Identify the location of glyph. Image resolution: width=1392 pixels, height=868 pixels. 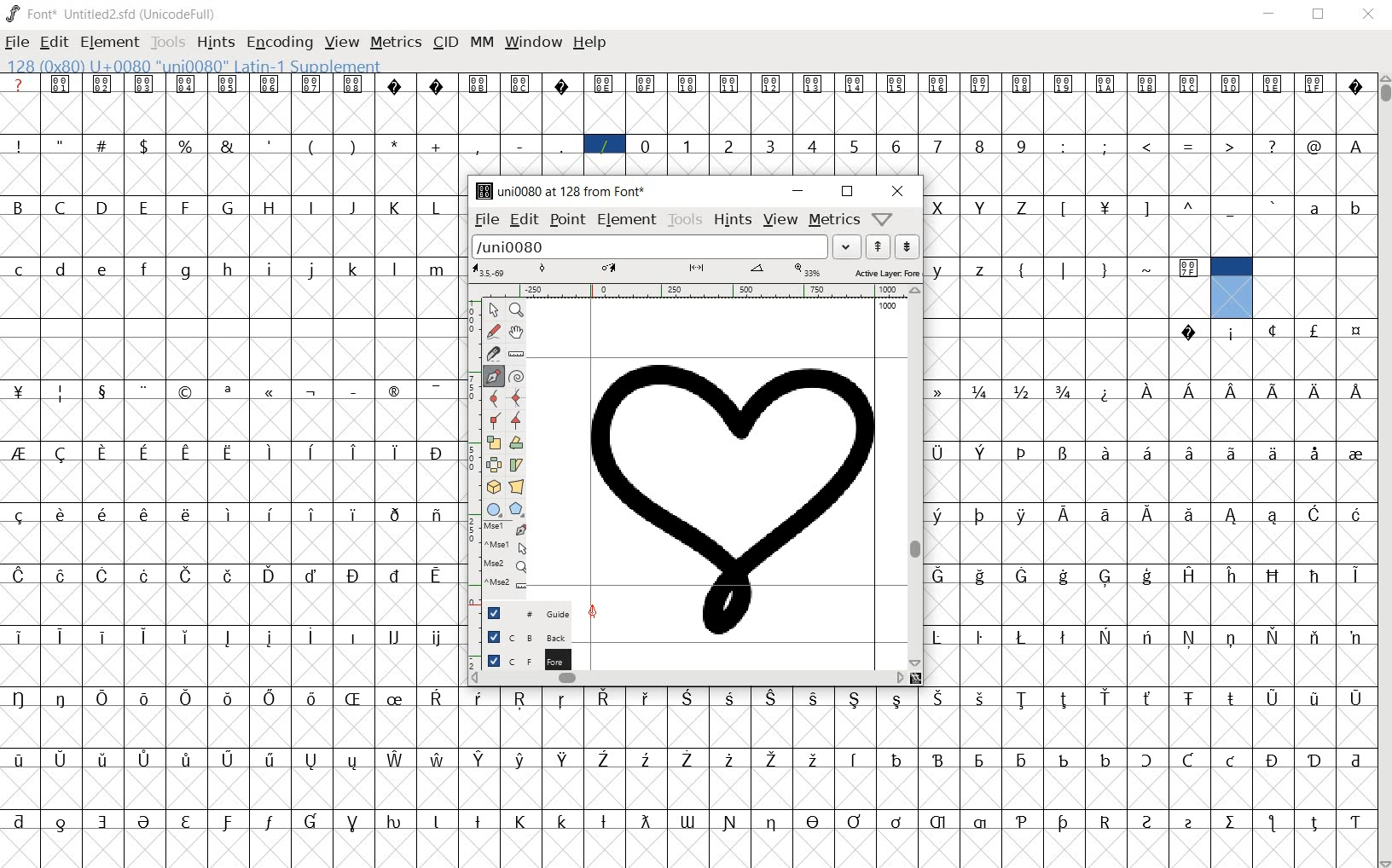
(1357, 332).